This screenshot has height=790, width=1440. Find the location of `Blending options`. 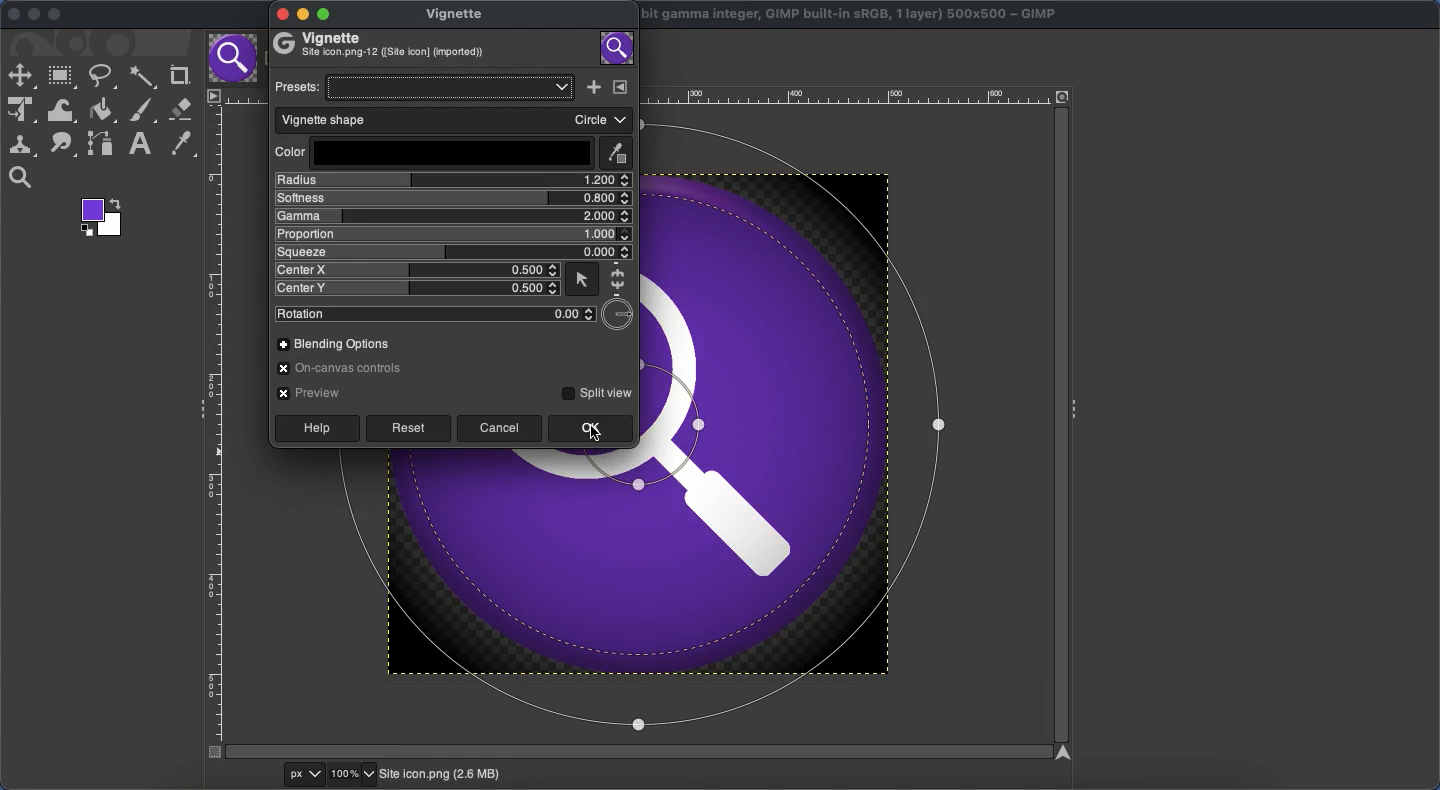

Blending options is located at coordinates (331, 343).